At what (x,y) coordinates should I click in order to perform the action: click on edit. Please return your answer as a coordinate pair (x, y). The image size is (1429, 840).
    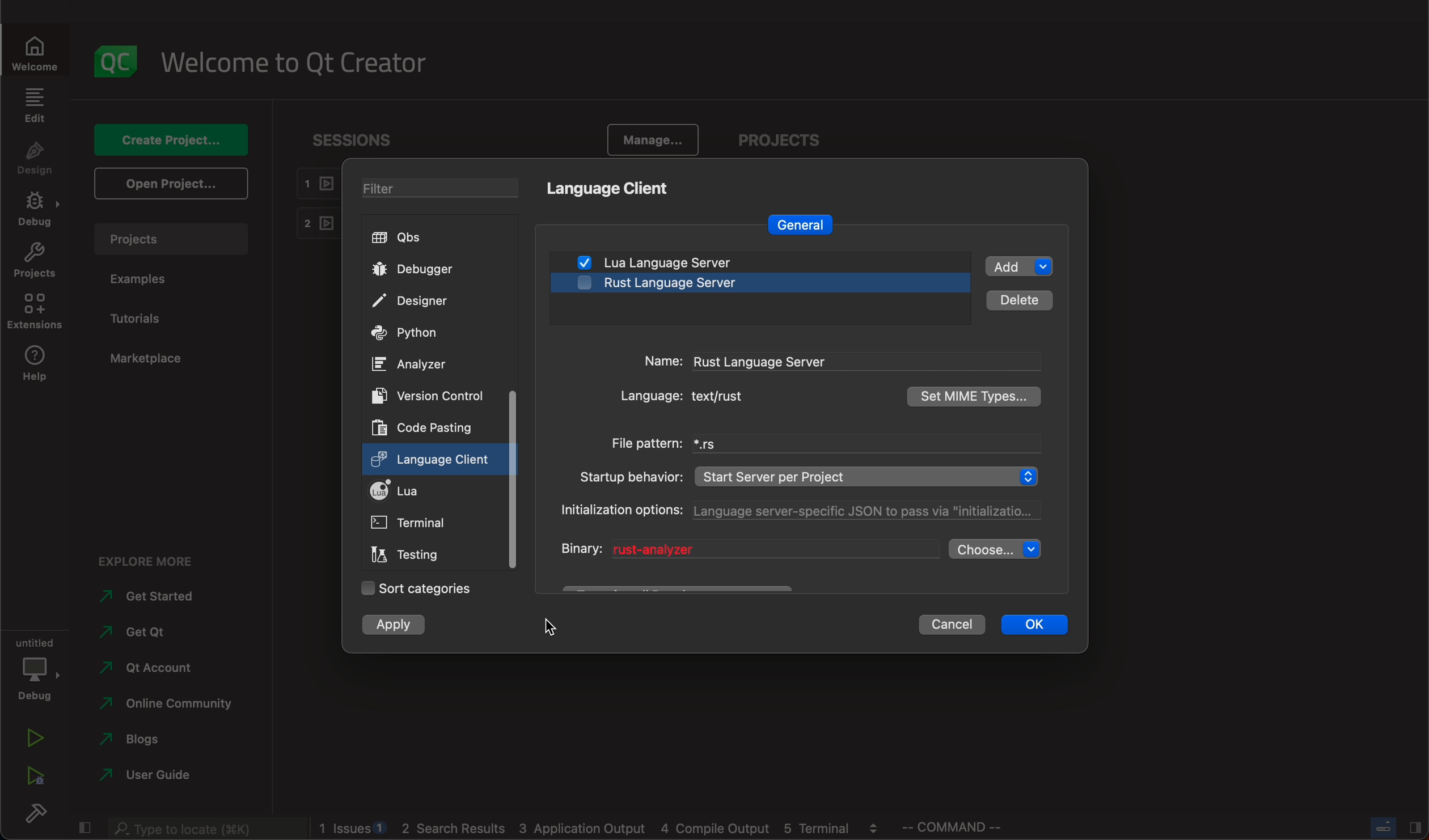
    Looking at the image, I should click on (36, 104).